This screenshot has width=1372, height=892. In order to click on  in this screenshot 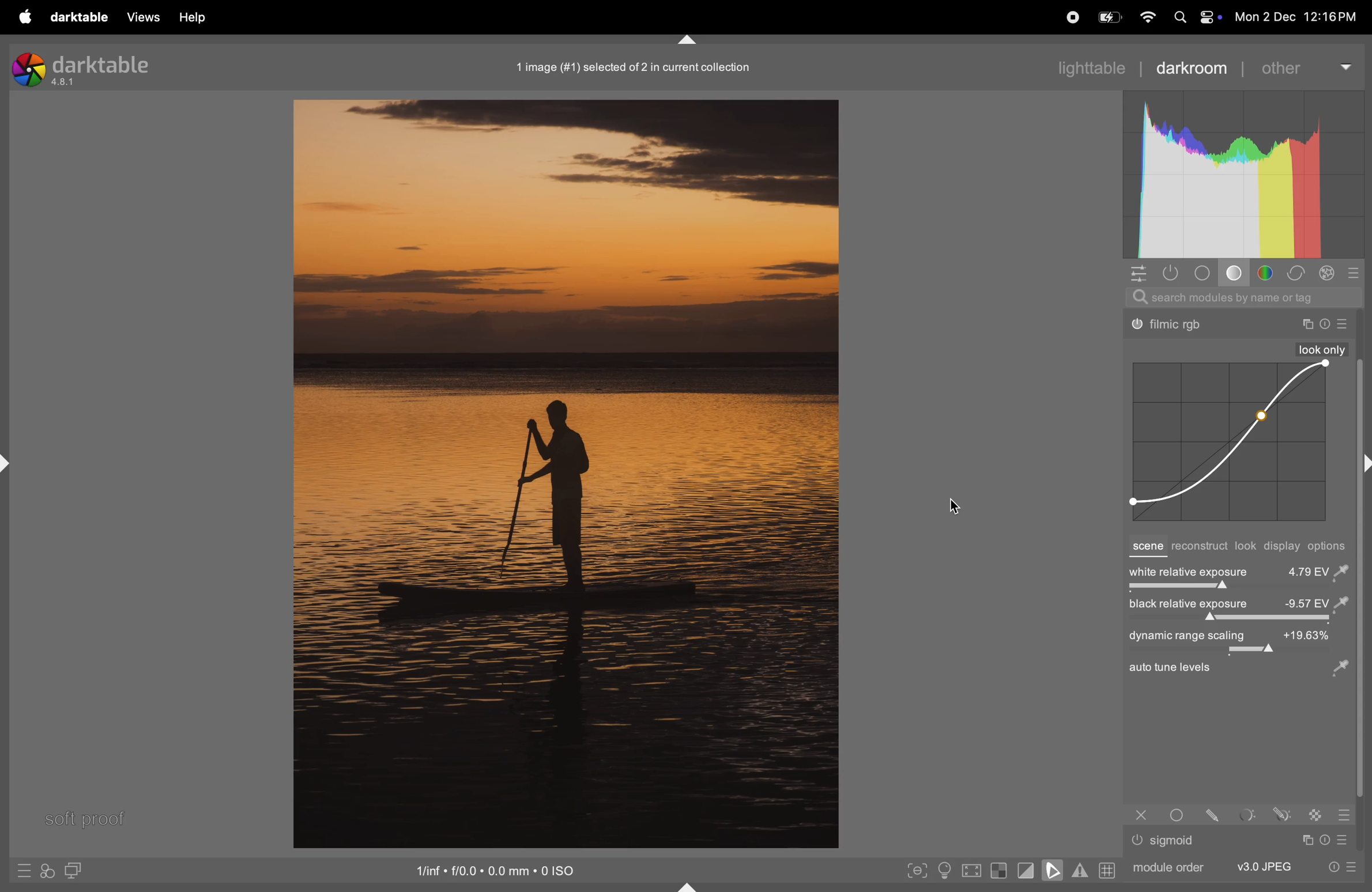, I will do `click(1175, 841)`.